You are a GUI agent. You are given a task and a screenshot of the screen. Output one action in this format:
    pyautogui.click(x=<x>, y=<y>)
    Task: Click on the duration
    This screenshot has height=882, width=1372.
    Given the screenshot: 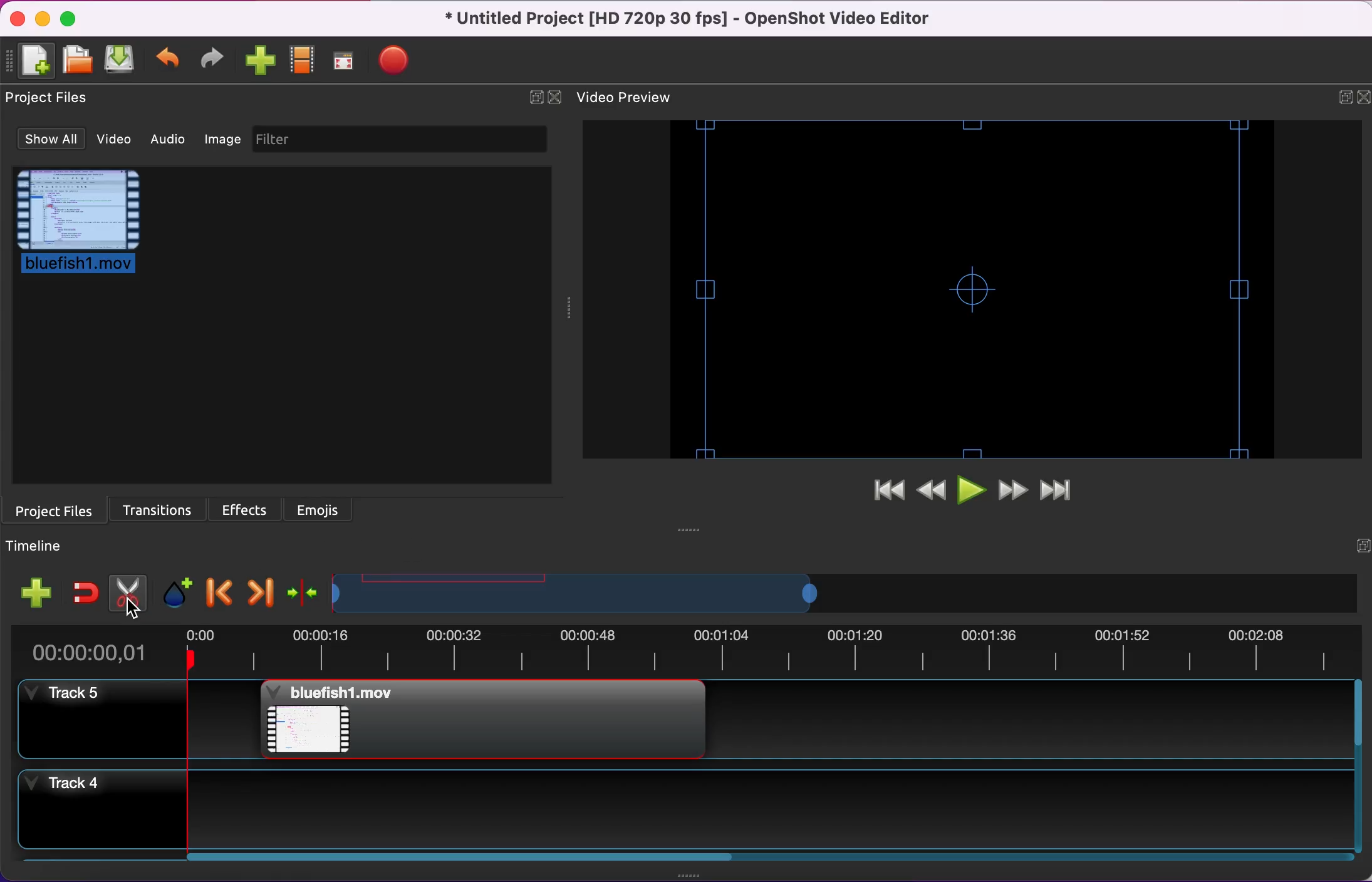 What is the action you would take?
    pyautogui.click(x=688, y=652)
    